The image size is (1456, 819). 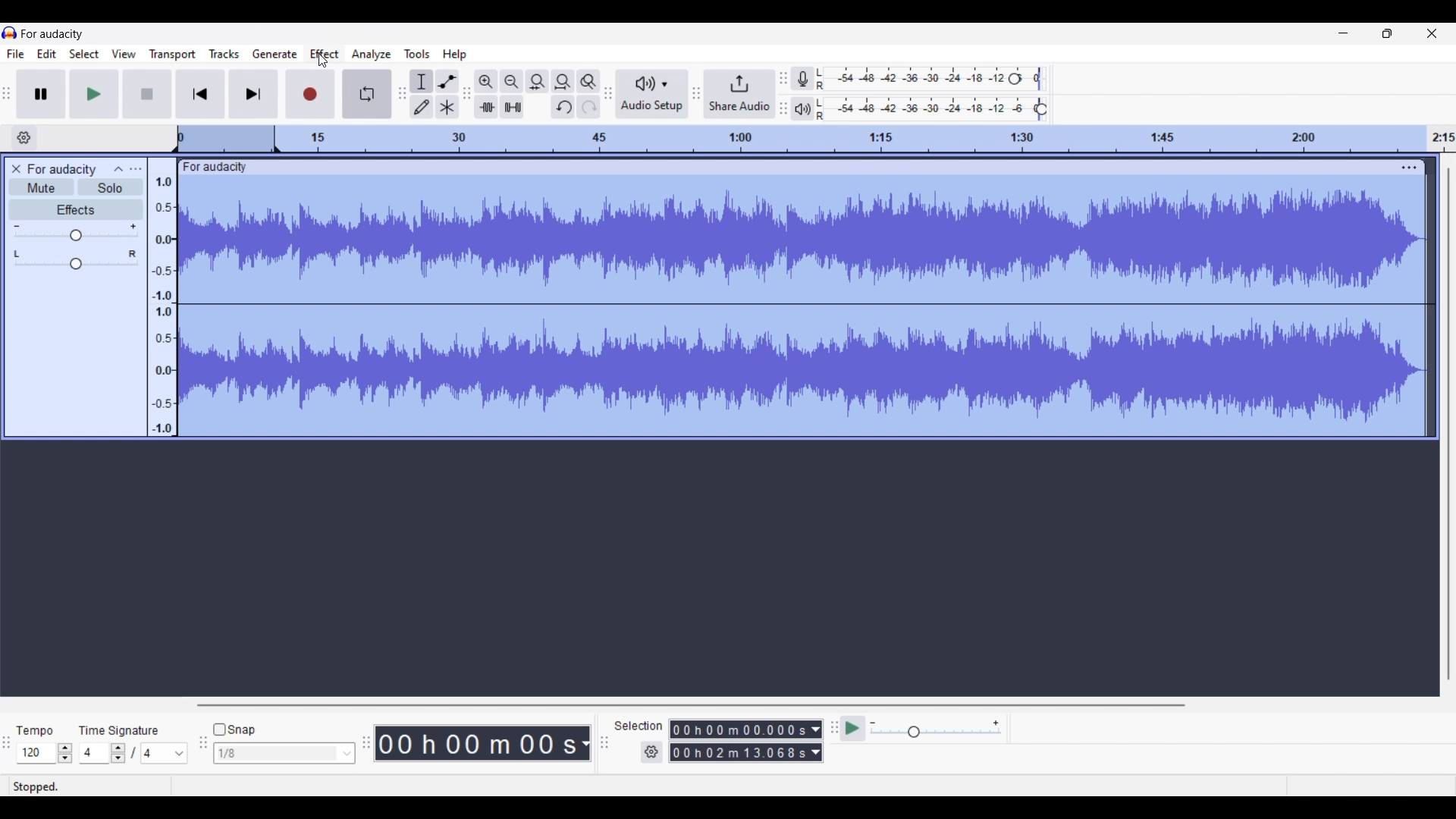 I want to click on Play/Play once, so click(x=93, y=94).